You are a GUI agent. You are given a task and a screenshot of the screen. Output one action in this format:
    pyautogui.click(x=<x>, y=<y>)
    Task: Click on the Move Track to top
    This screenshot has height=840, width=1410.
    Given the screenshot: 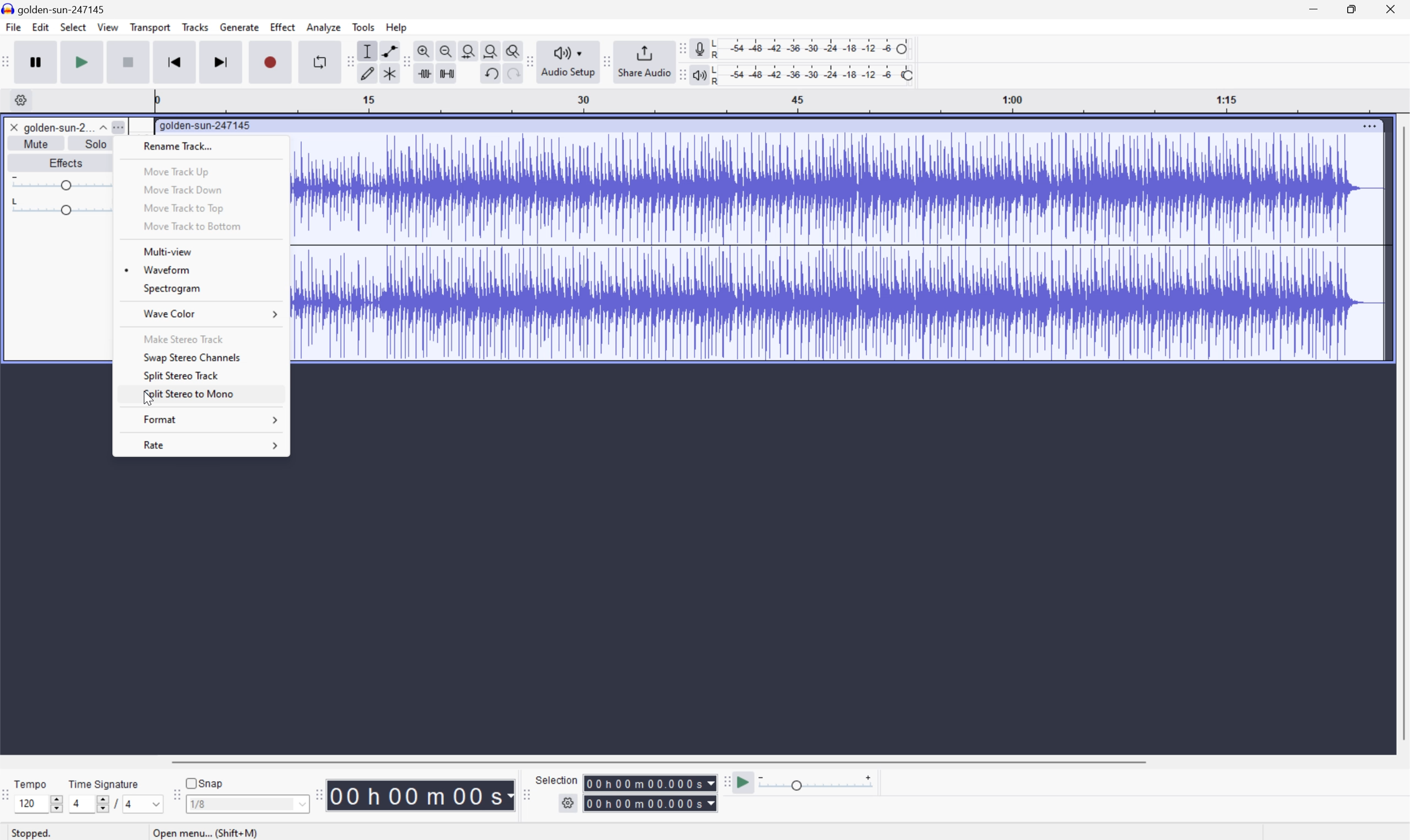 What is the action you would take?
    pyautogui.click(x=182, y=208)
    